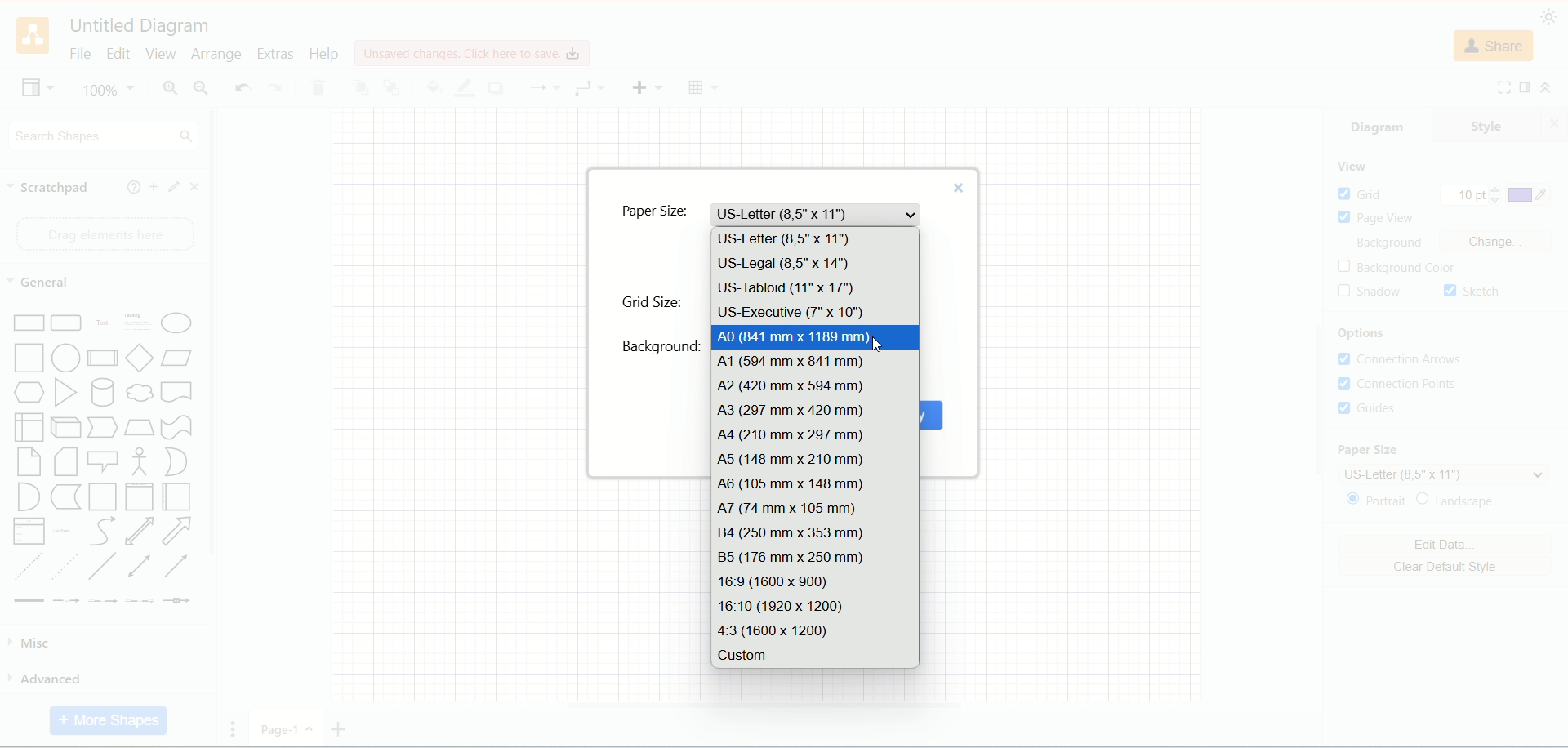  What do you see at coordinates (1468, 501) in the screenshot?
I see `landscape` at bounding box center [1468, 501].